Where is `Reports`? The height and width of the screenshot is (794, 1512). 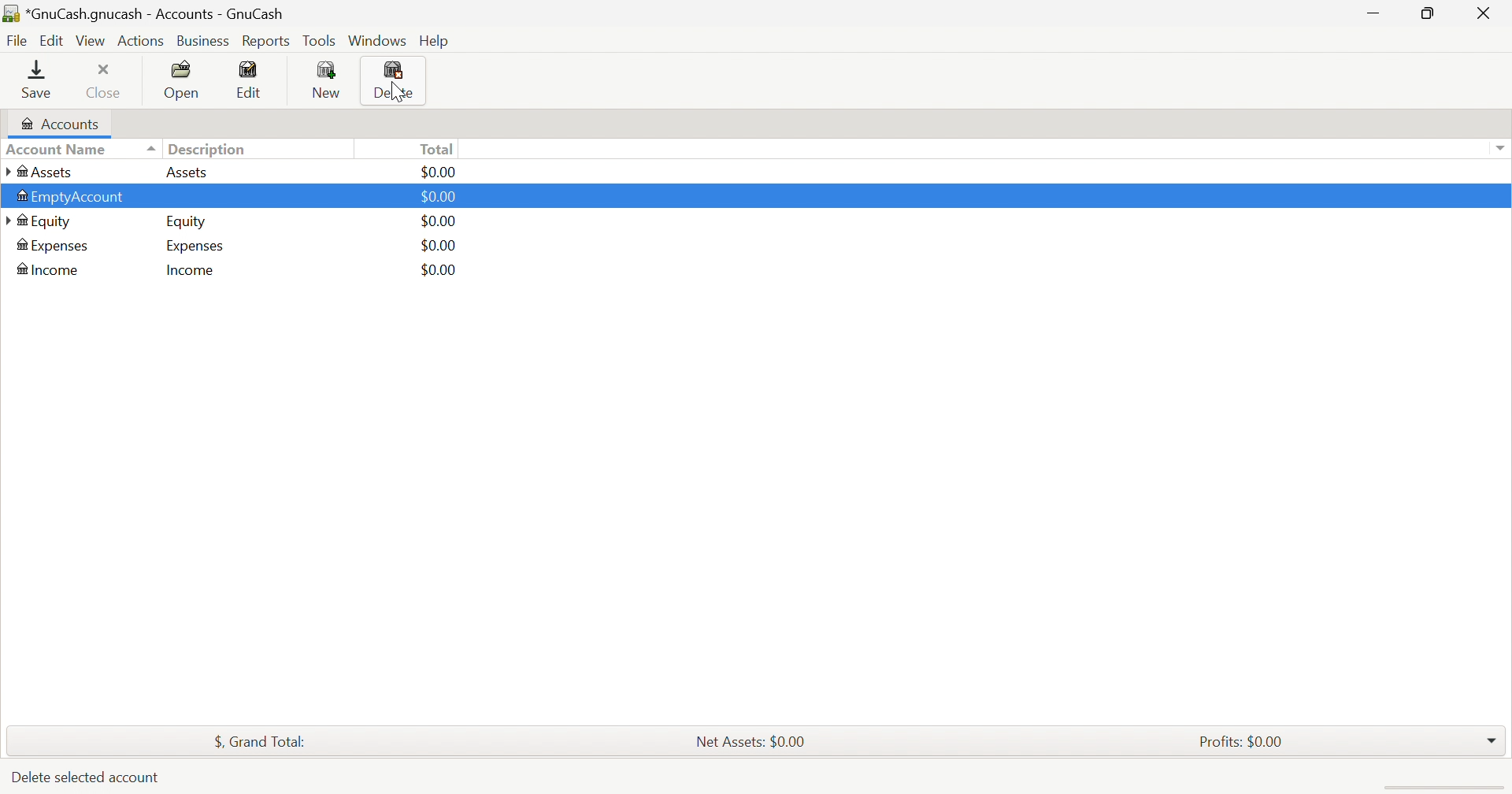 Reports is located at coordinates (270, 42).